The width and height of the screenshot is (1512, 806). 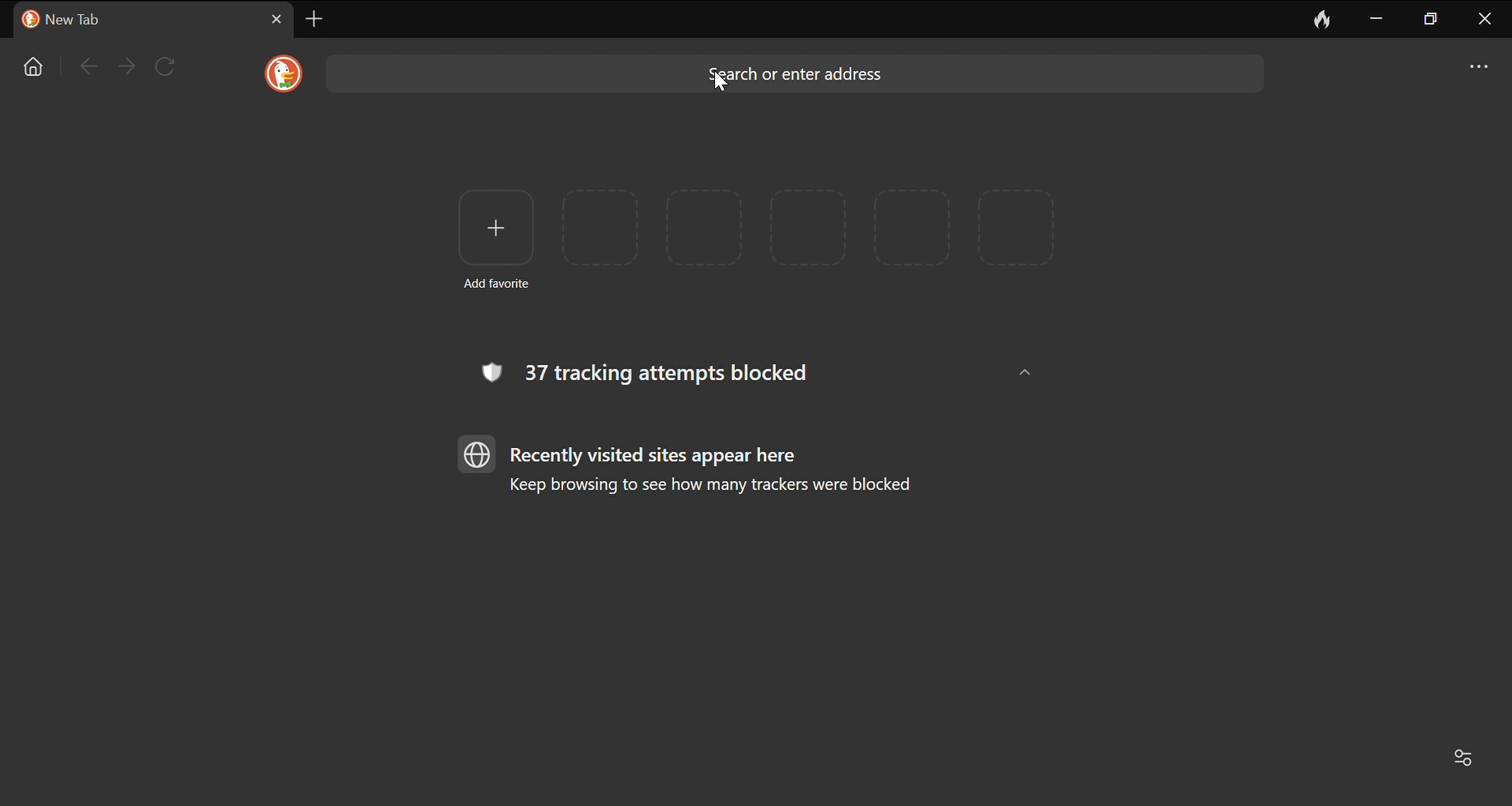 I want to click on Add new tab, so click(x=314, y=18).